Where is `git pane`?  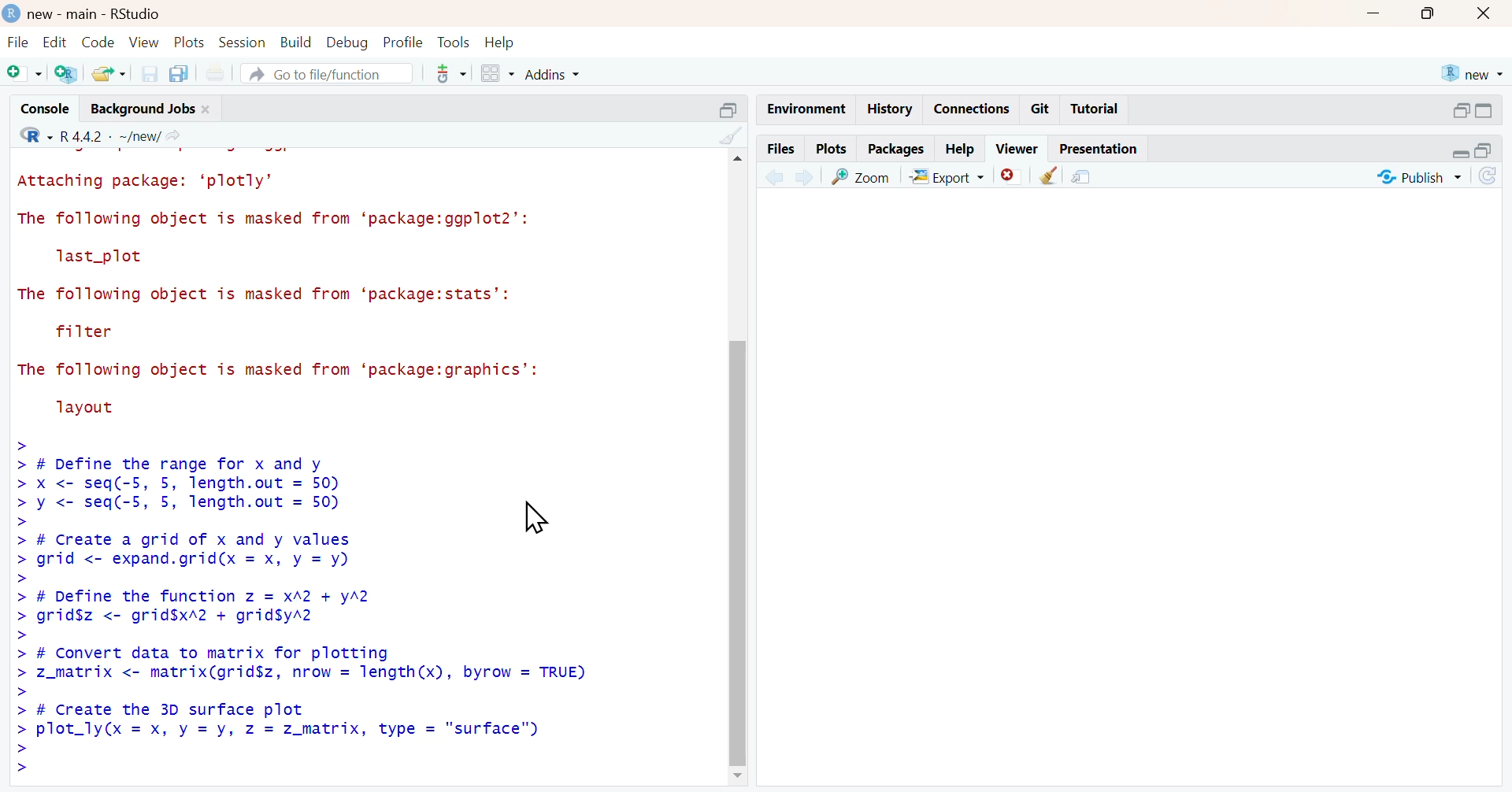 git pane is located at coordinates (451, 76).